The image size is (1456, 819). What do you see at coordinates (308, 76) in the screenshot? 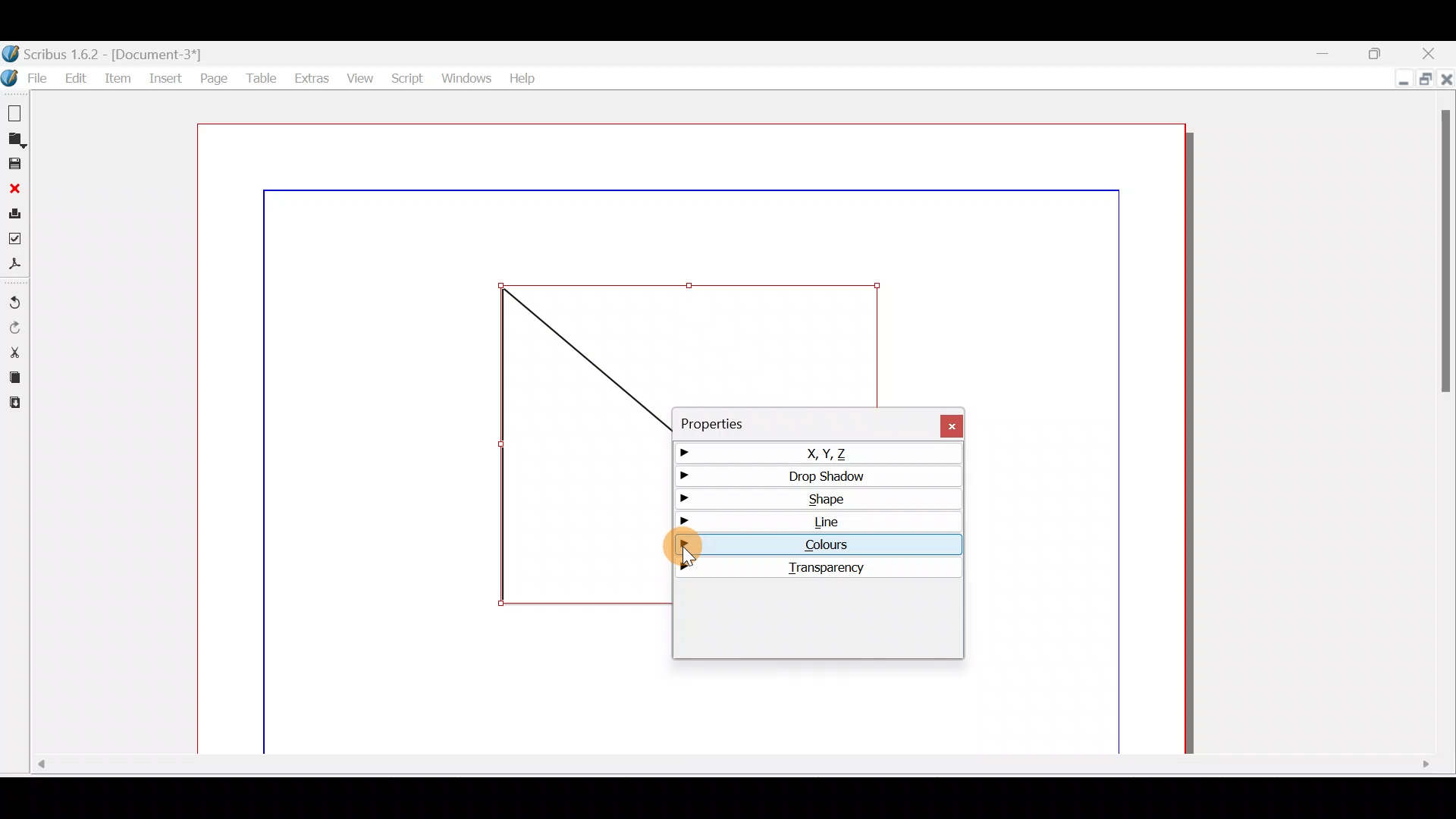
I see `Extras` at bounding box center [308, 76].